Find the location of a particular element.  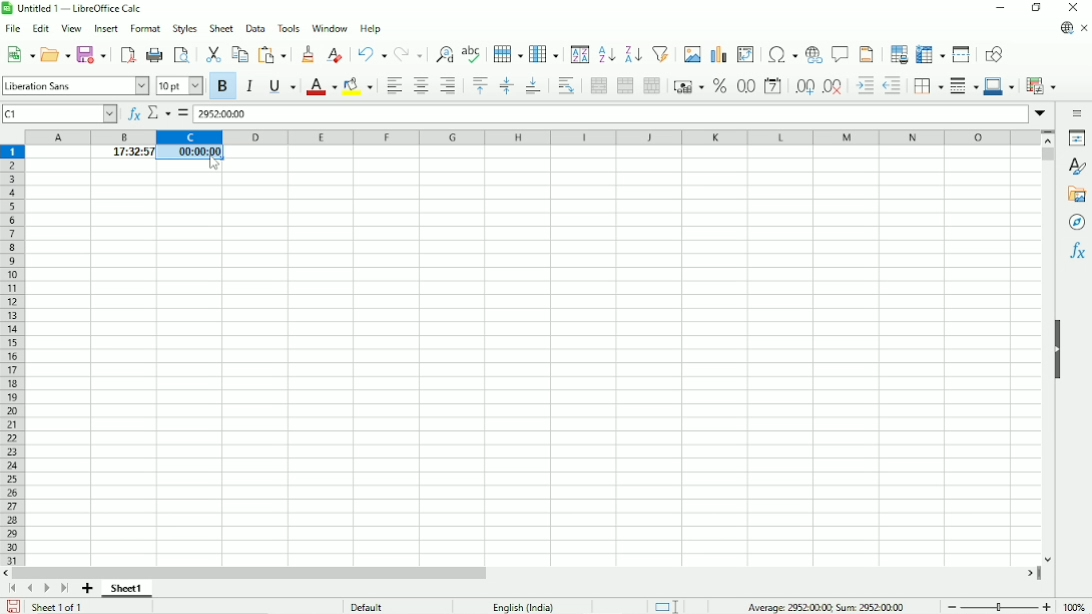

Navigator is located at coordinates (1078, 223).